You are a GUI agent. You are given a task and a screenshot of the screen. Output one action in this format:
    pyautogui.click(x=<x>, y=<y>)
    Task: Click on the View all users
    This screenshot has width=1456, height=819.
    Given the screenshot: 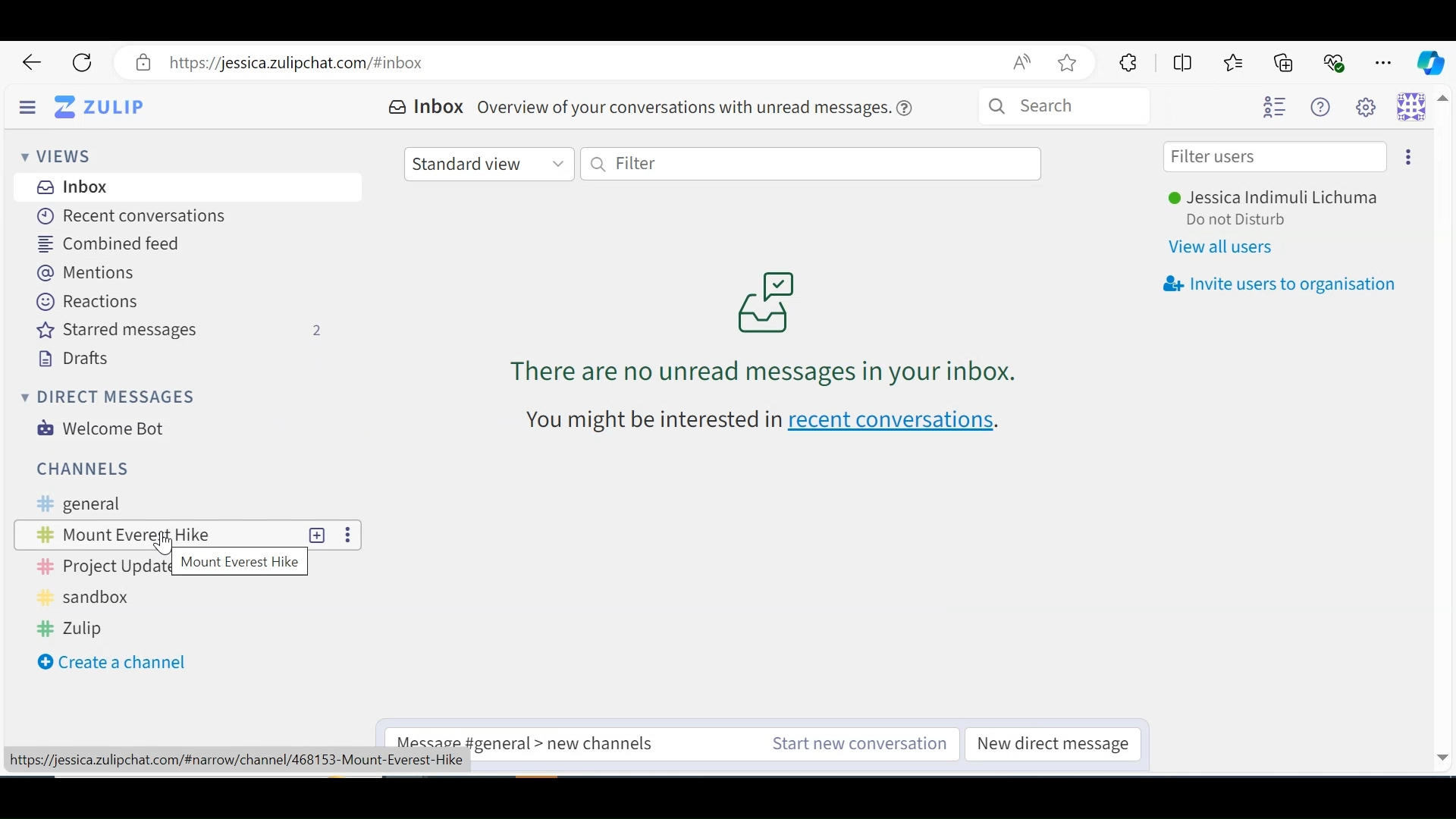 What is the action you would take?
    pyautogui.click(x=1225, y=247)
    